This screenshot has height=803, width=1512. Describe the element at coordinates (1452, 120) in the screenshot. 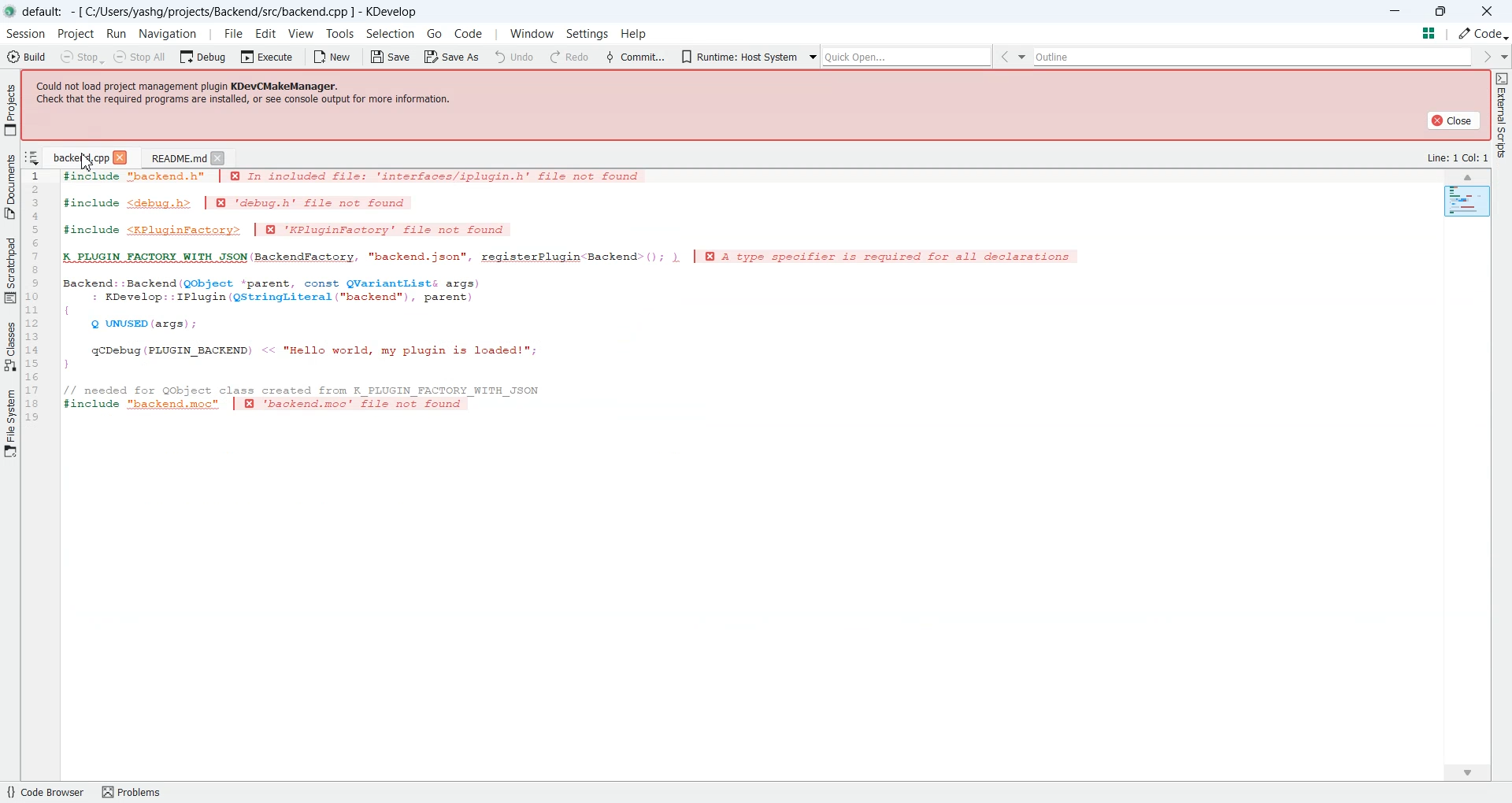

I see `Close` at that location.